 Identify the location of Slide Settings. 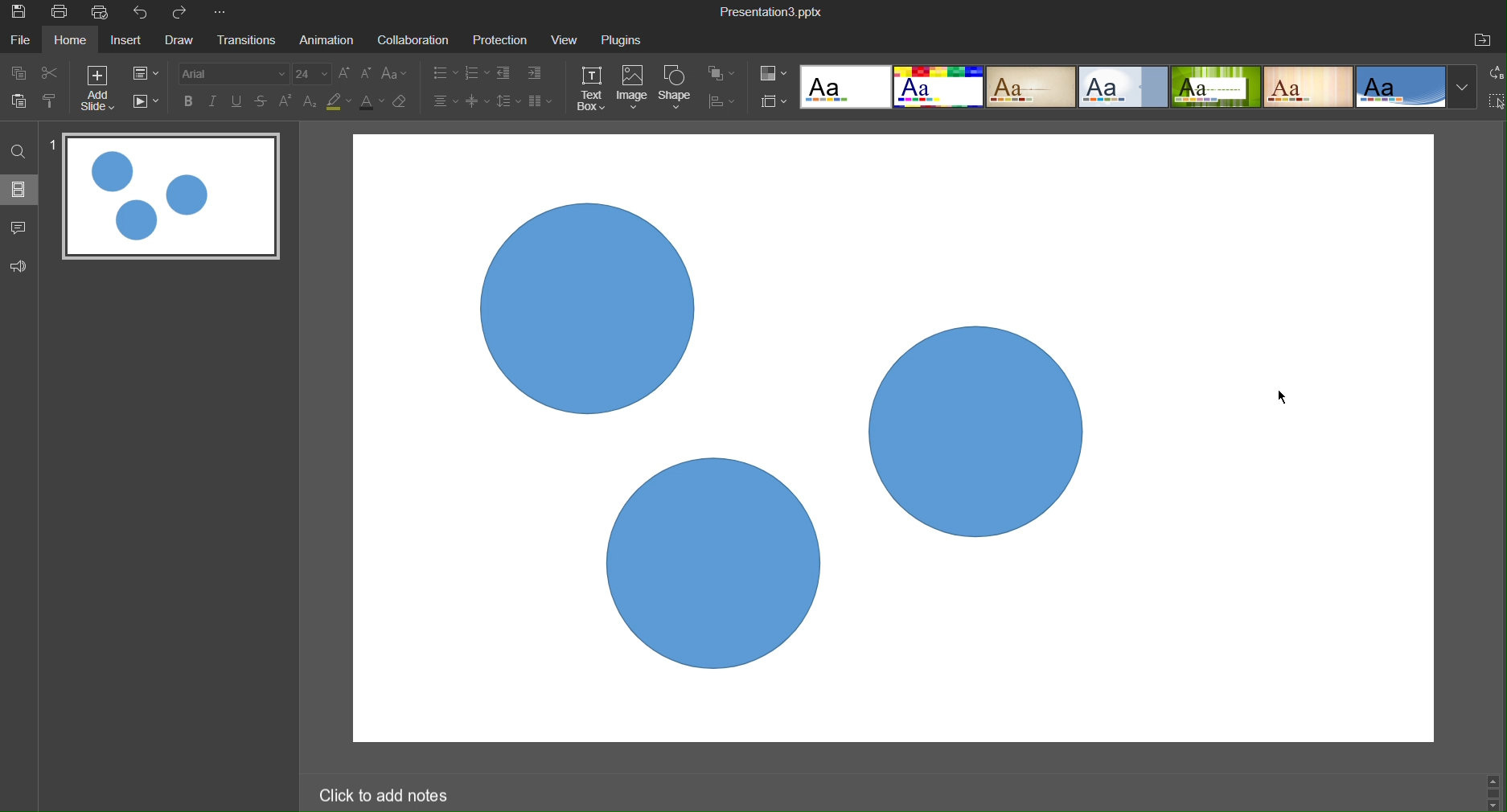
(151, 75).